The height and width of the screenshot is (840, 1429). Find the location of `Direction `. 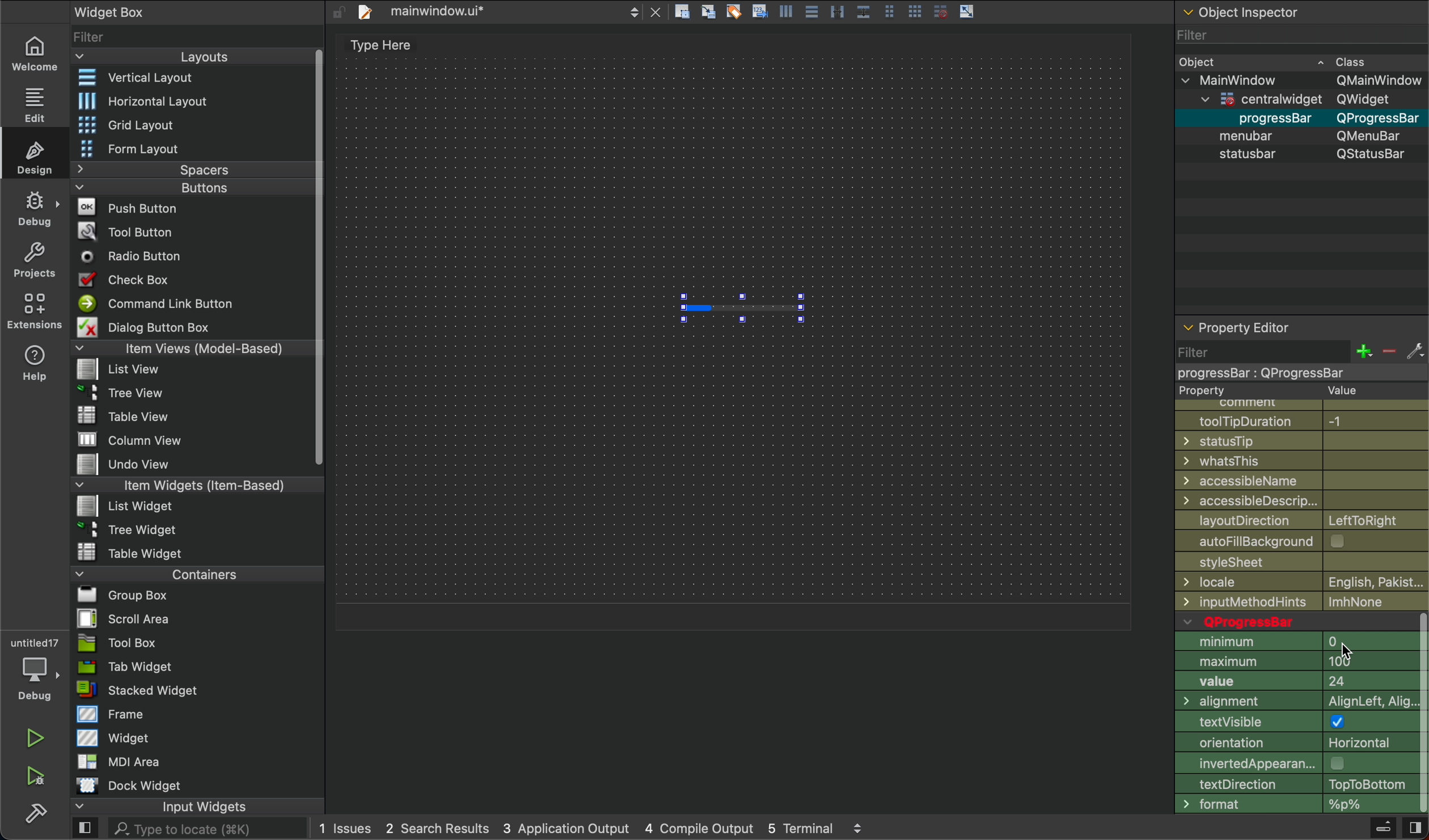

Direction  is located at coordinates (1291, 784).